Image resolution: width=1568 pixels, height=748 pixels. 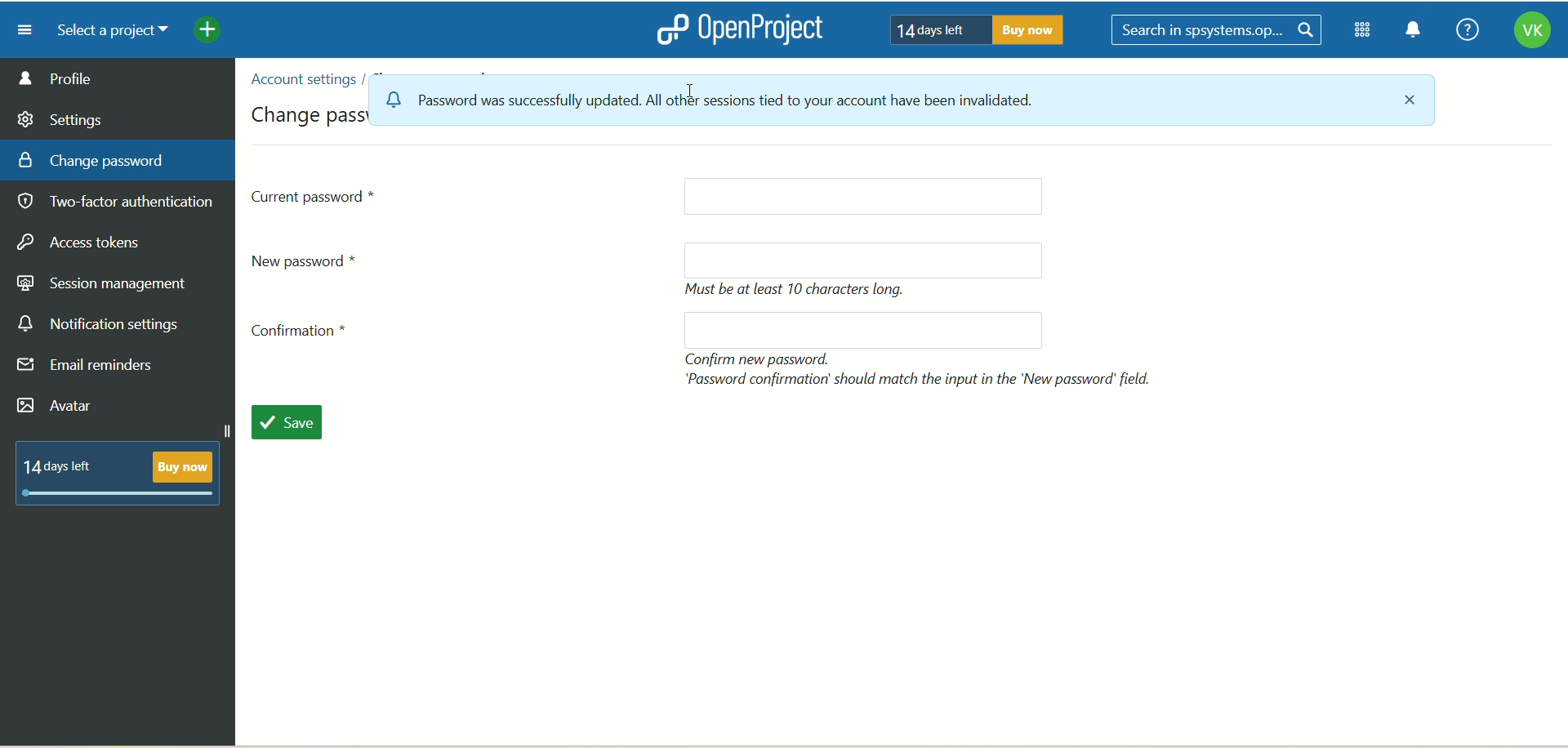 I want to click on new password, so click(x=865, y=330).